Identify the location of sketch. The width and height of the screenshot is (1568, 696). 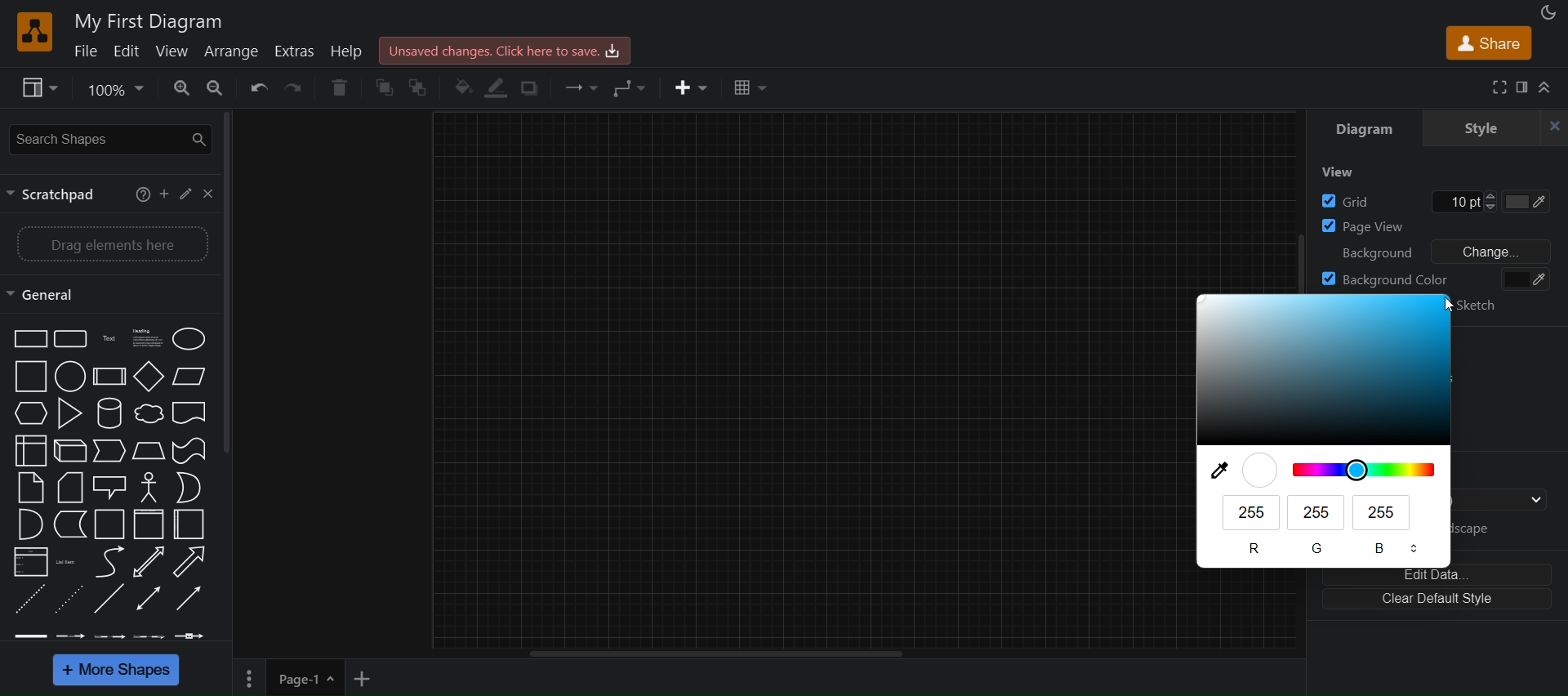
(1497, 308).